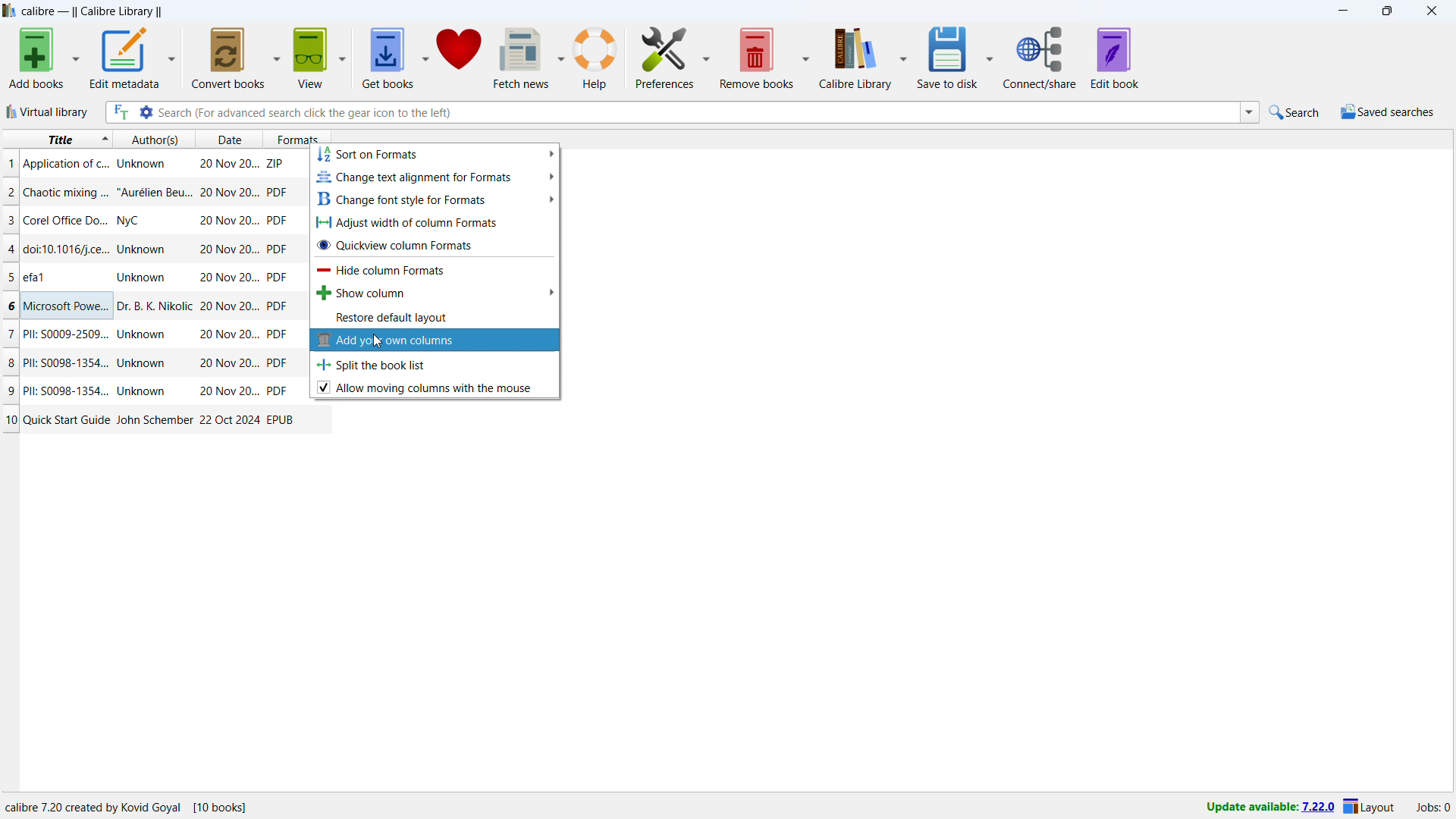 The image size is (1456, 819). I want to click on connect/share, so click(1040, 58).